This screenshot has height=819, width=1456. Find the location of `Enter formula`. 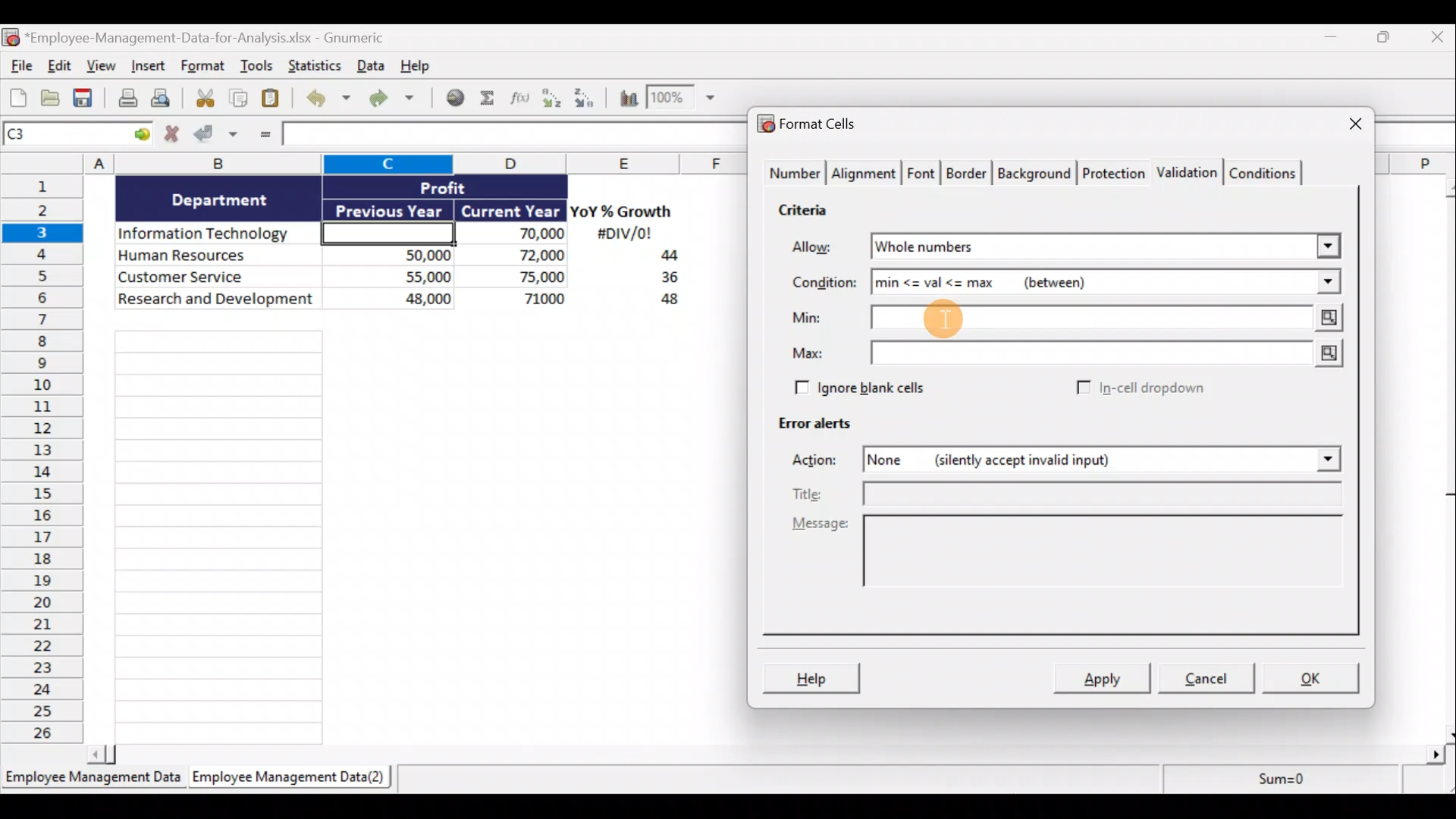

Enter formula is located at coordinates (262, 136).